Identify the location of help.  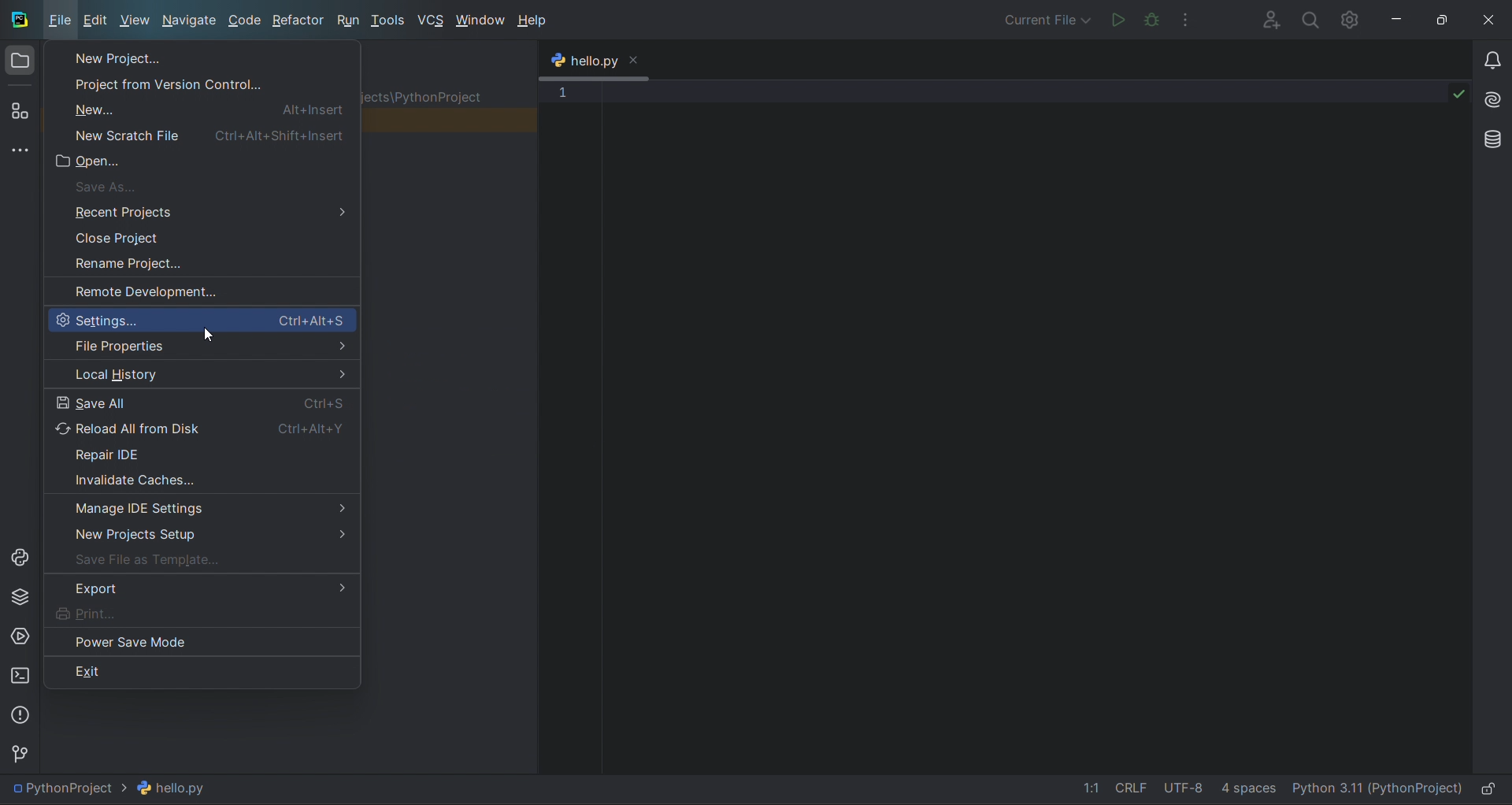
(535, 20).